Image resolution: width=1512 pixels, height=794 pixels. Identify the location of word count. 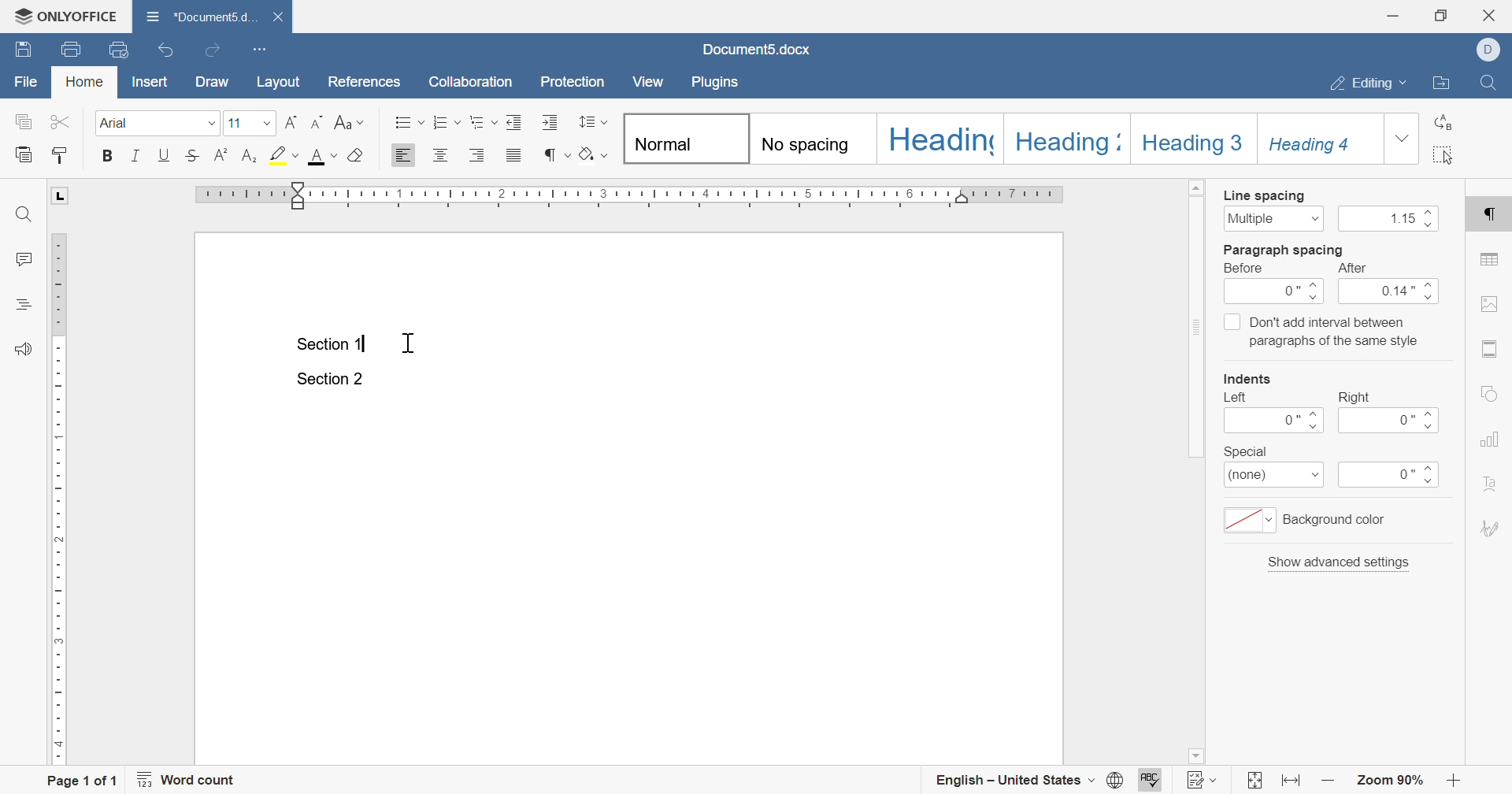
(190, 779).